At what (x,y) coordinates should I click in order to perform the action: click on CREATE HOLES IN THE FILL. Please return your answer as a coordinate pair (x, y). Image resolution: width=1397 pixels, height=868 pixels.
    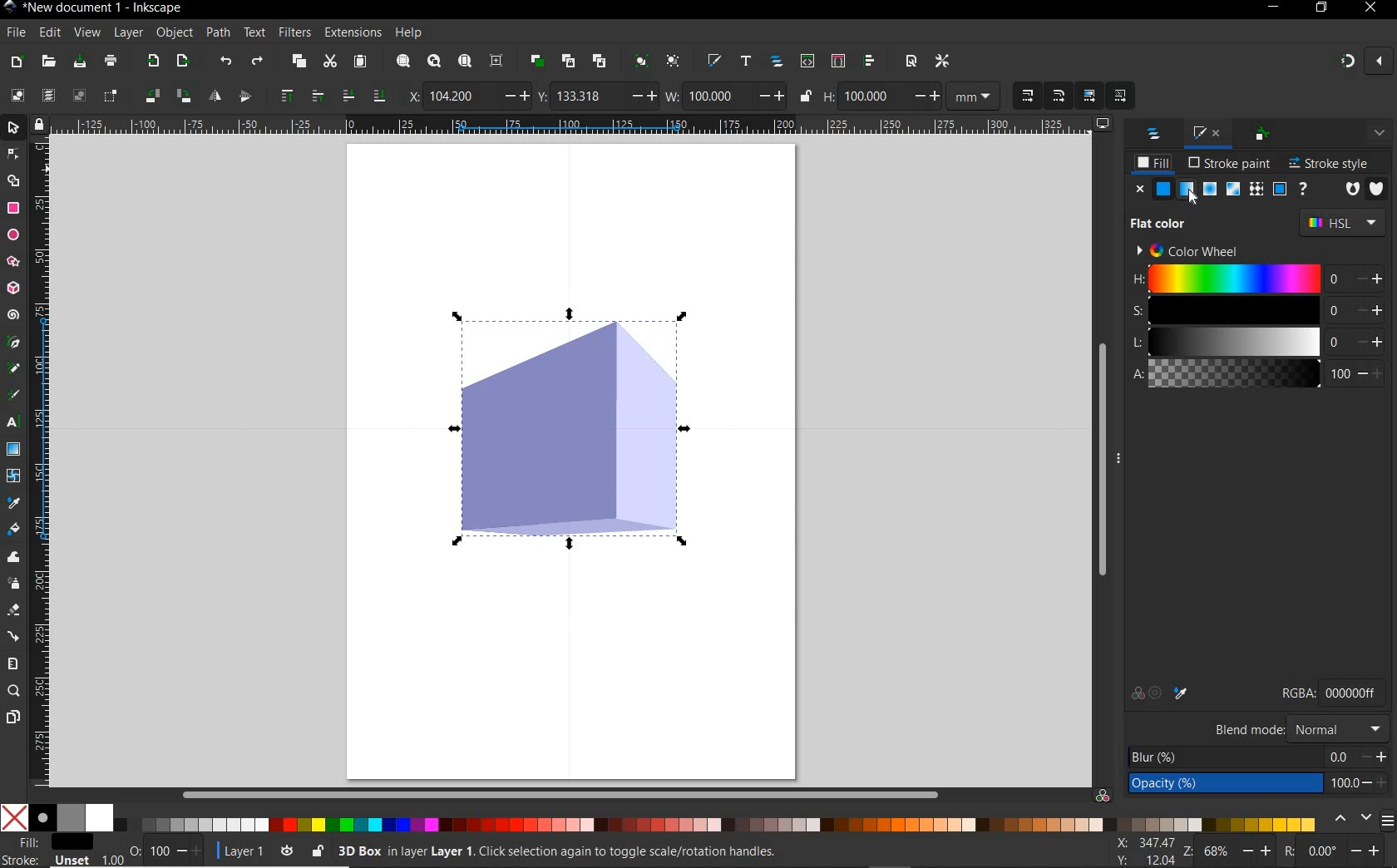
    Looking at the image, I should click on (1353, 190).